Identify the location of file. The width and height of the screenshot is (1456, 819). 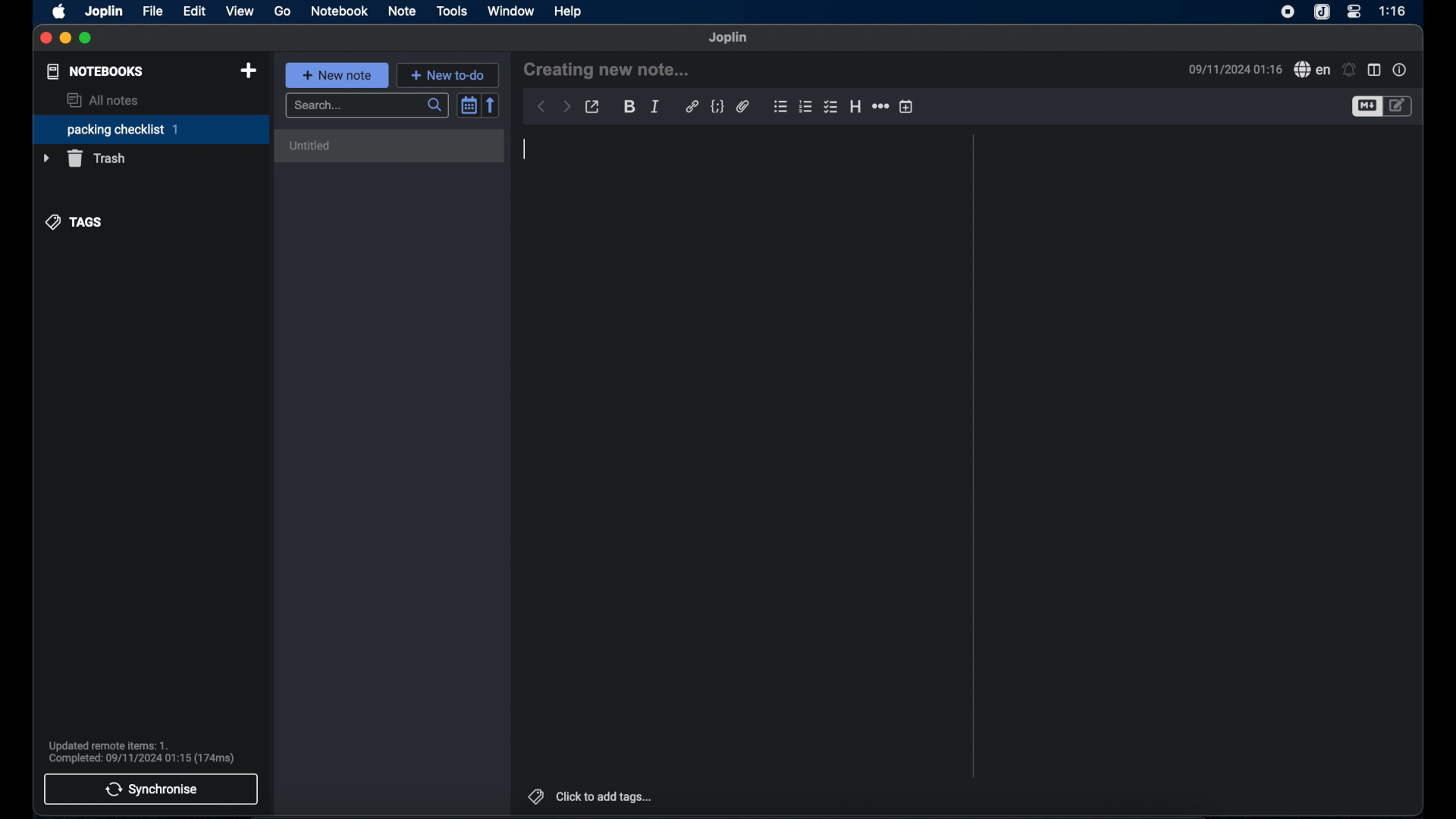
(154, 11).